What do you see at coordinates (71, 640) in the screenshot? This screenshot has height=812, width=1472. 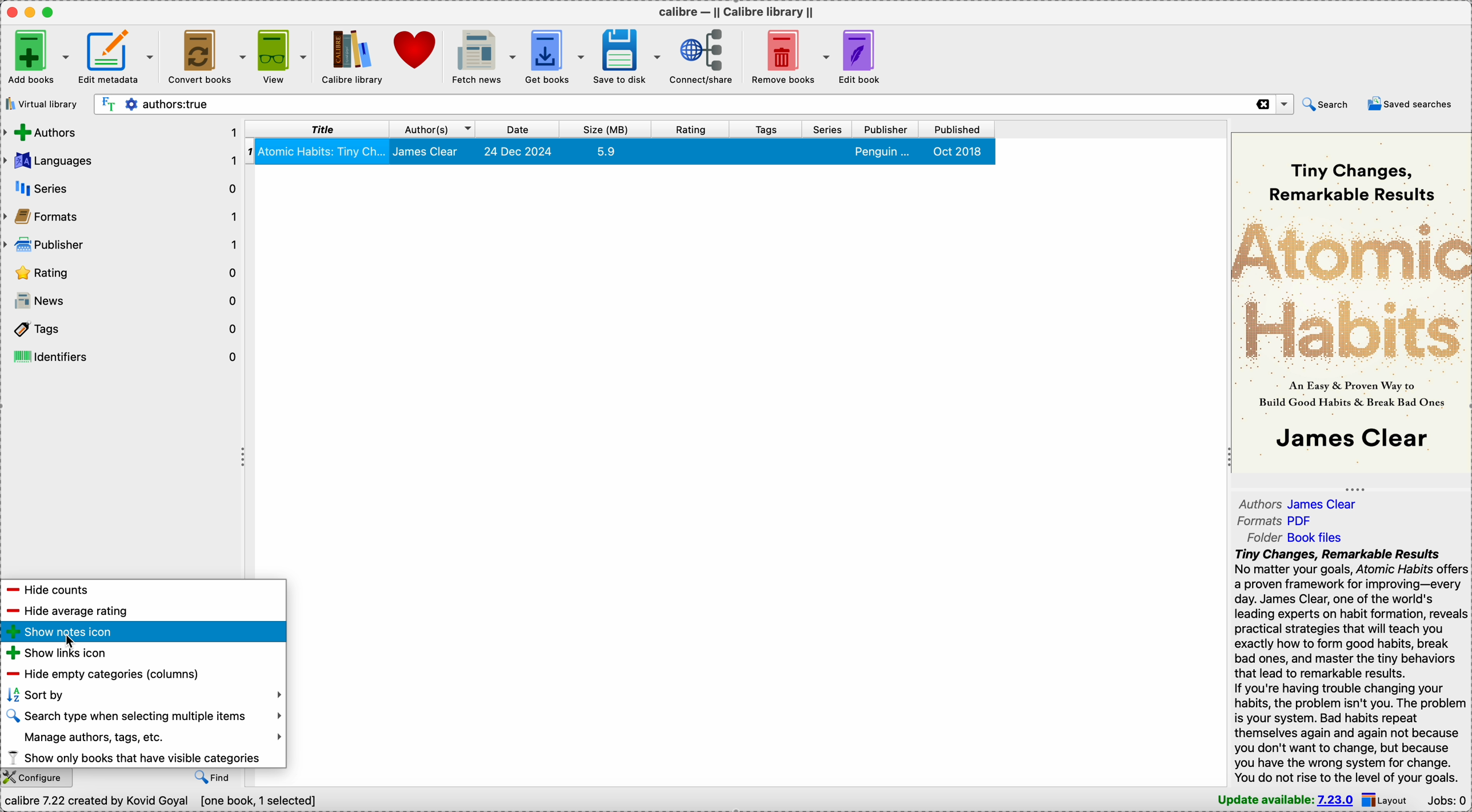 I see `cursor` at bounding box center [71, 640].